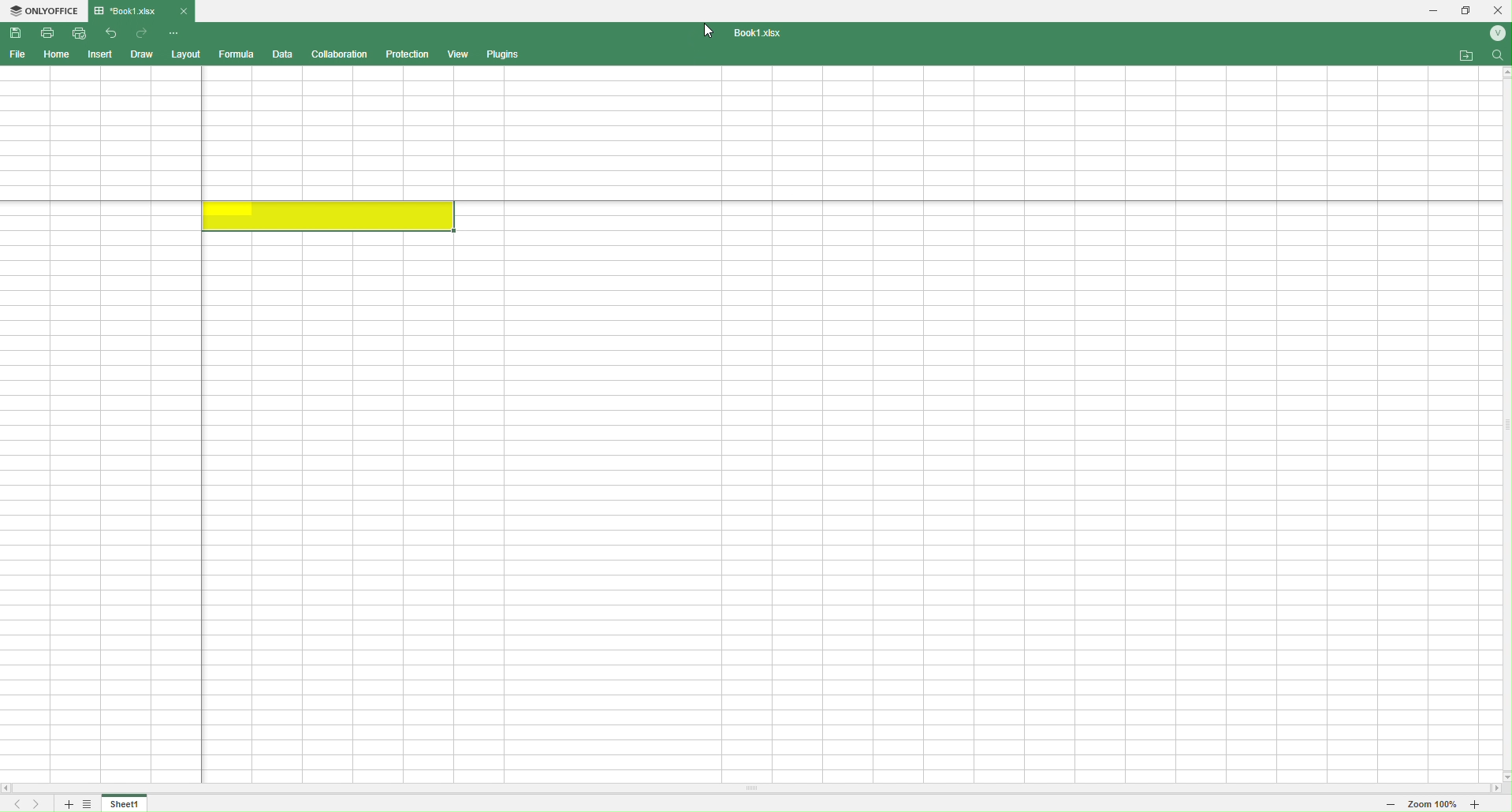 The image size is (1512, 812). What do you see at coordinates (44, 12) in the screenshot?
I see `ONLYOFFICE` at bounding box center [44, 12].